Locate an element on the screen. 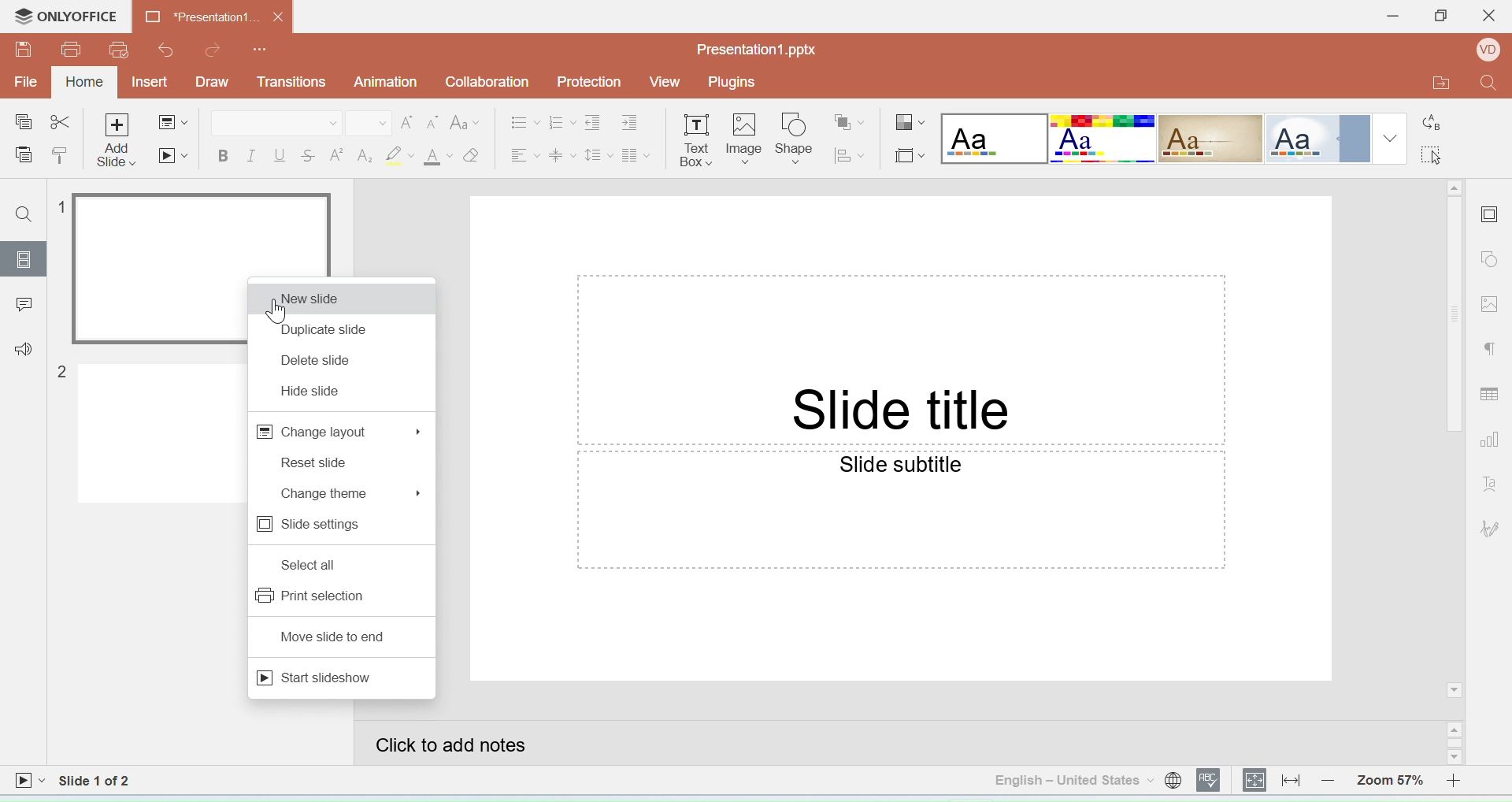 This screenshot has width=1512, height=802. Chart settings is located at coordinates (1494, 441).